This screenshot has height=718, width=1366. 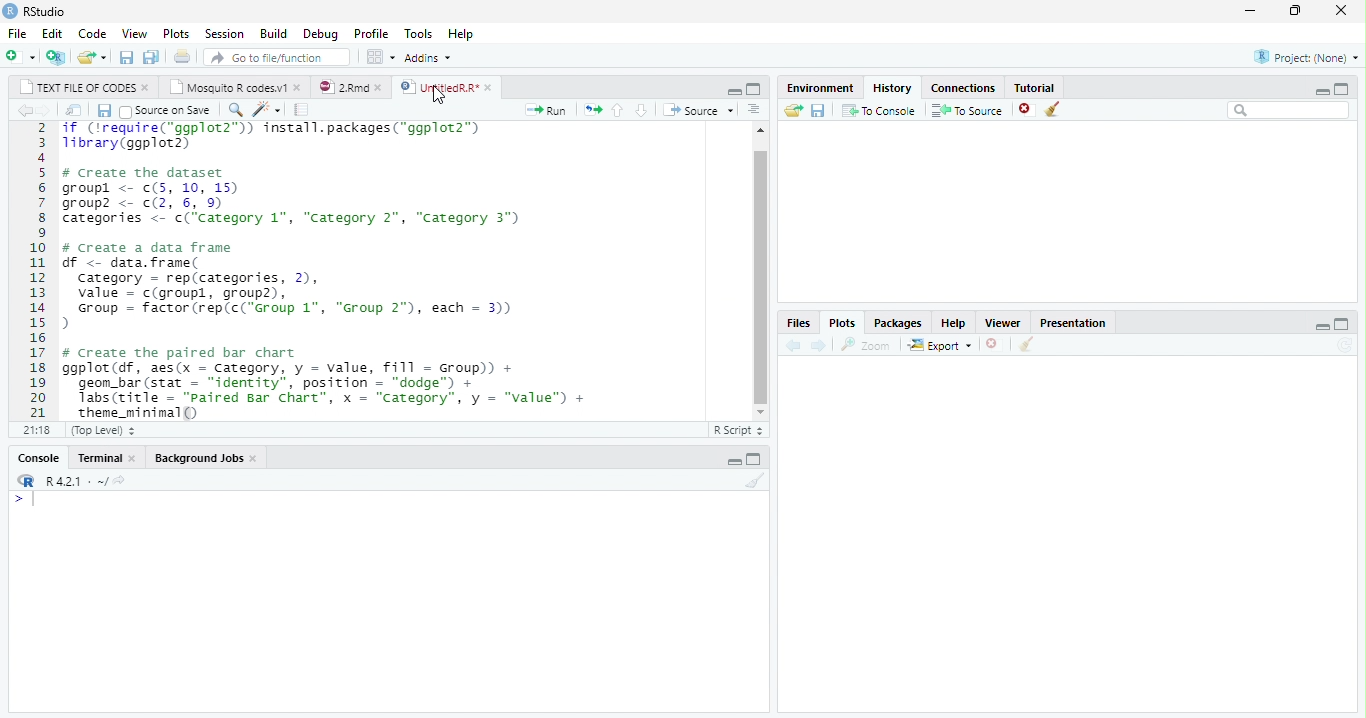 What do you see at coordinates (49, 33) in the screenshot?
I see `edit` at bounding box center [49, 33].